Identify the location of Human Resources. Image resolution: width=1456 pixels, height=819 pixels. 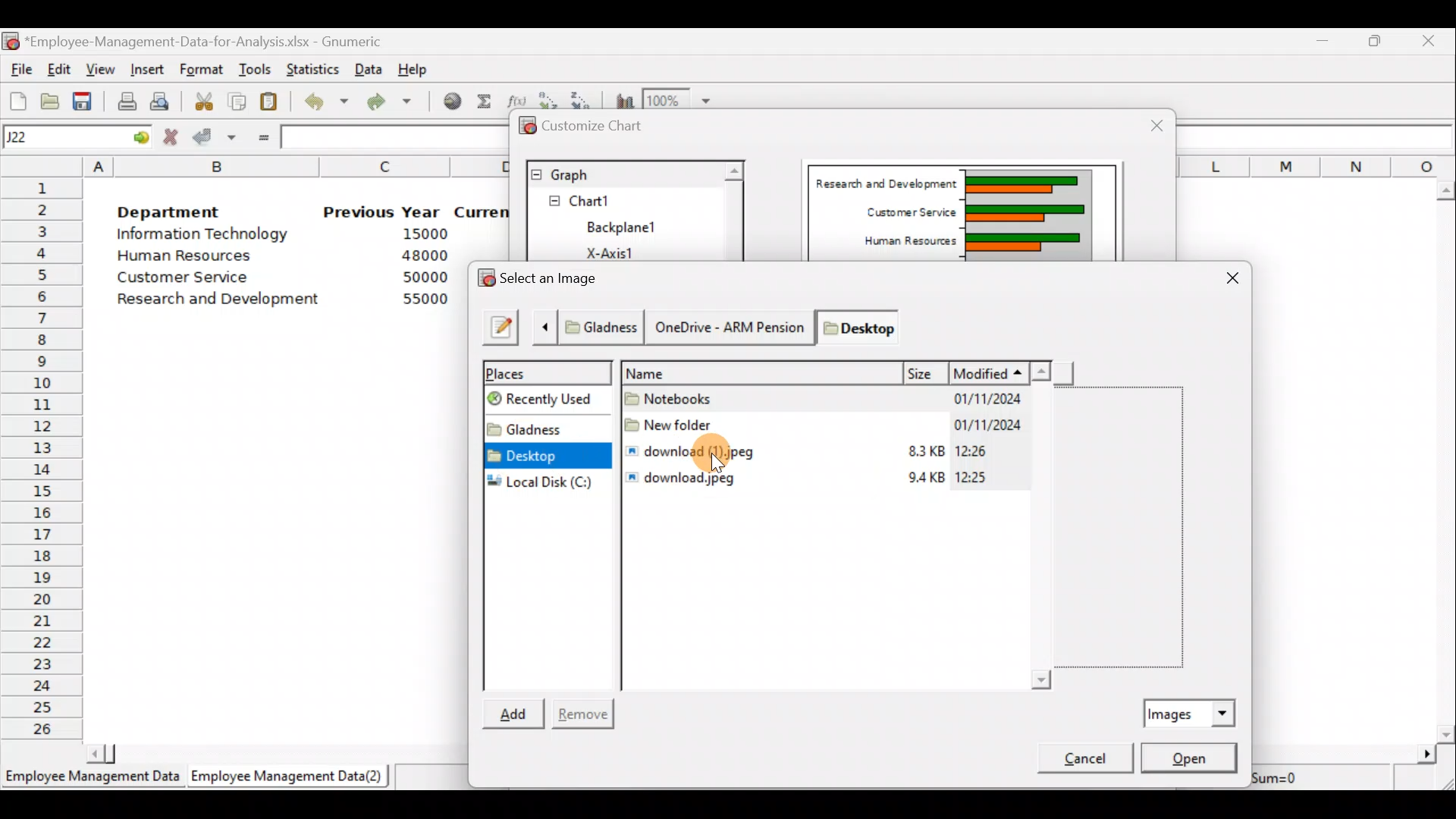
(196, 257).